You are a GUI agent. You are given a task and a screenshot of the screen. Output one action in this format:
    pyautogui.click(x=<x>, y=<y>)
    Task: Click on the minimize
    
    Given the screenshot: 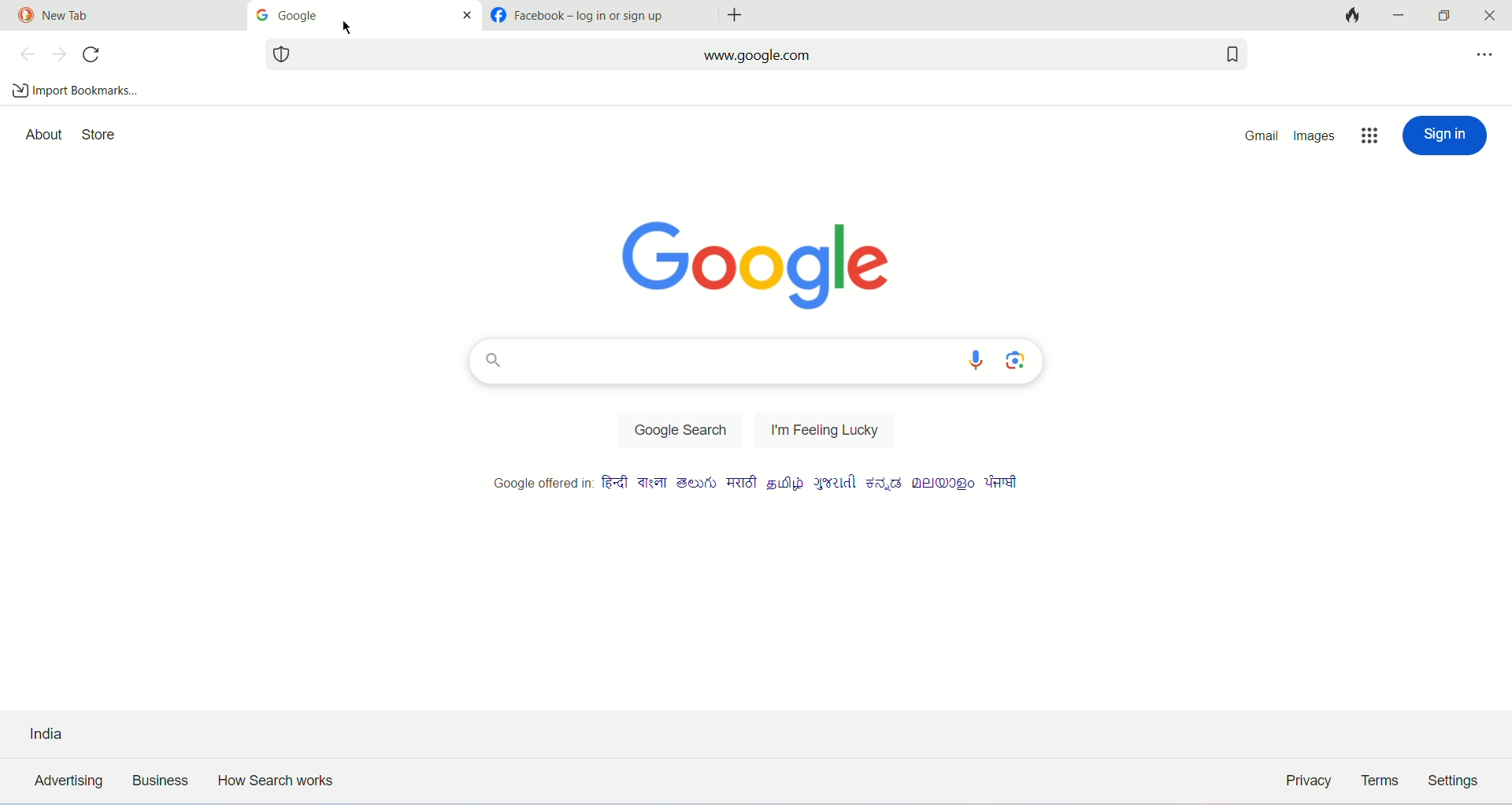 What is the action you would take?
    pyautogui.click(x=1399, y=15)
    